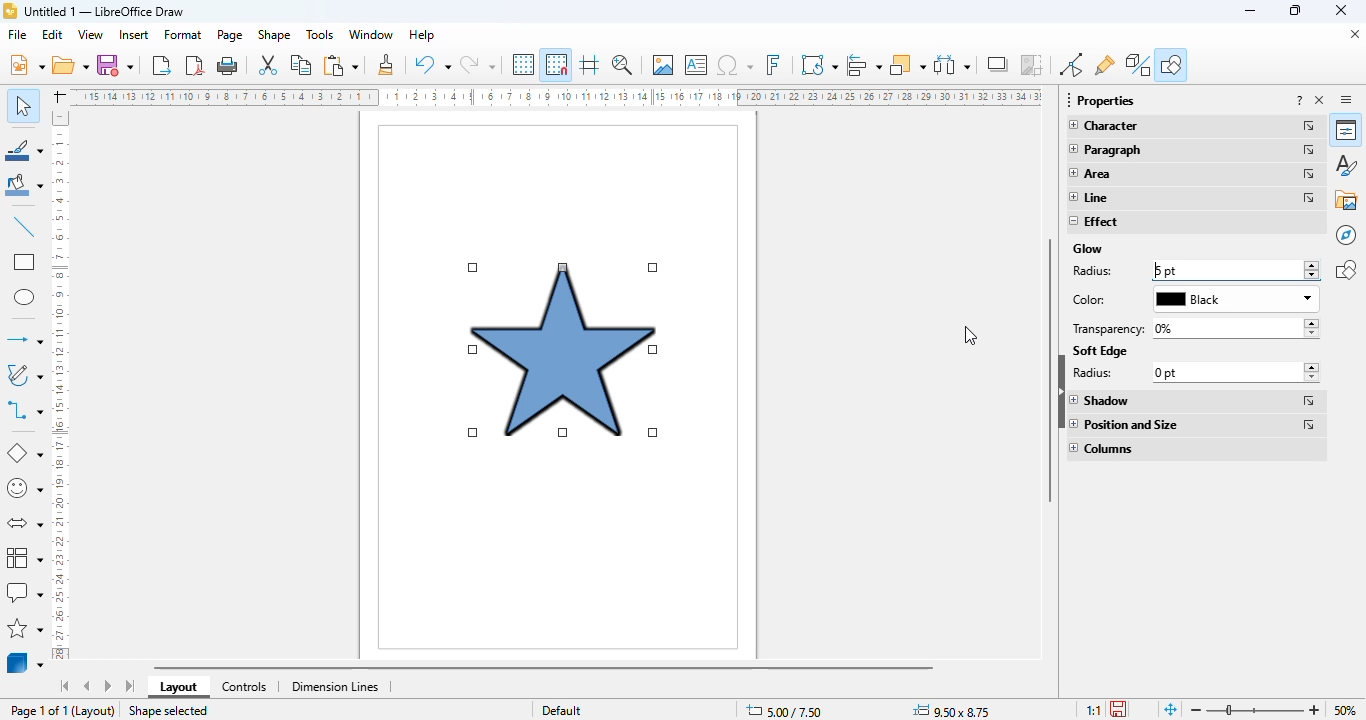 Image resolution: width=1366 pixels, height=720 pixels. I want to click on shape, so click(275, 34).